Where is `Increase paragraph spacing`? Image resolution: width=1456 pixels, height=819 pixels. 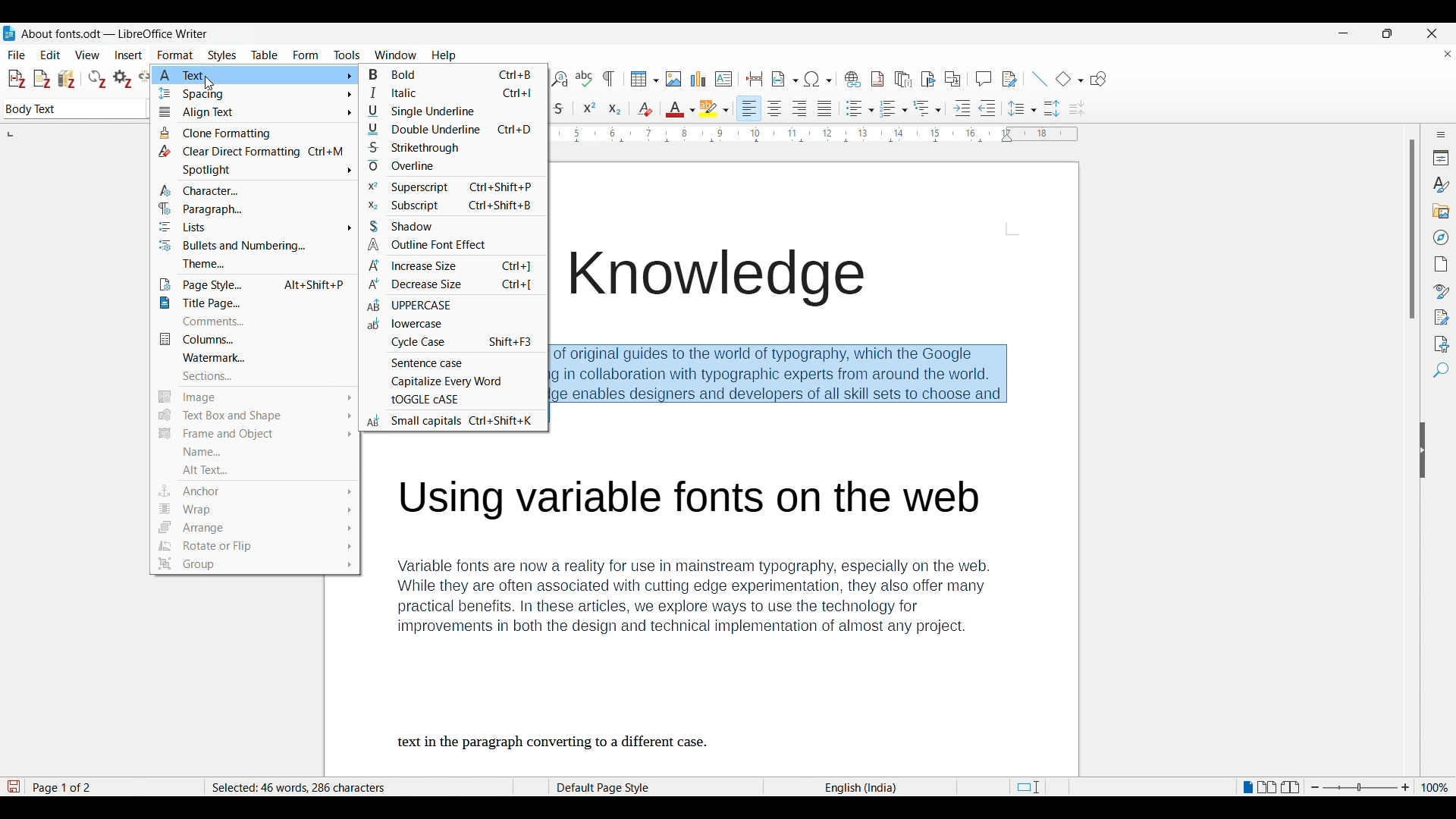
Increase paragraph spacing is located at coordinates (1052, 108).